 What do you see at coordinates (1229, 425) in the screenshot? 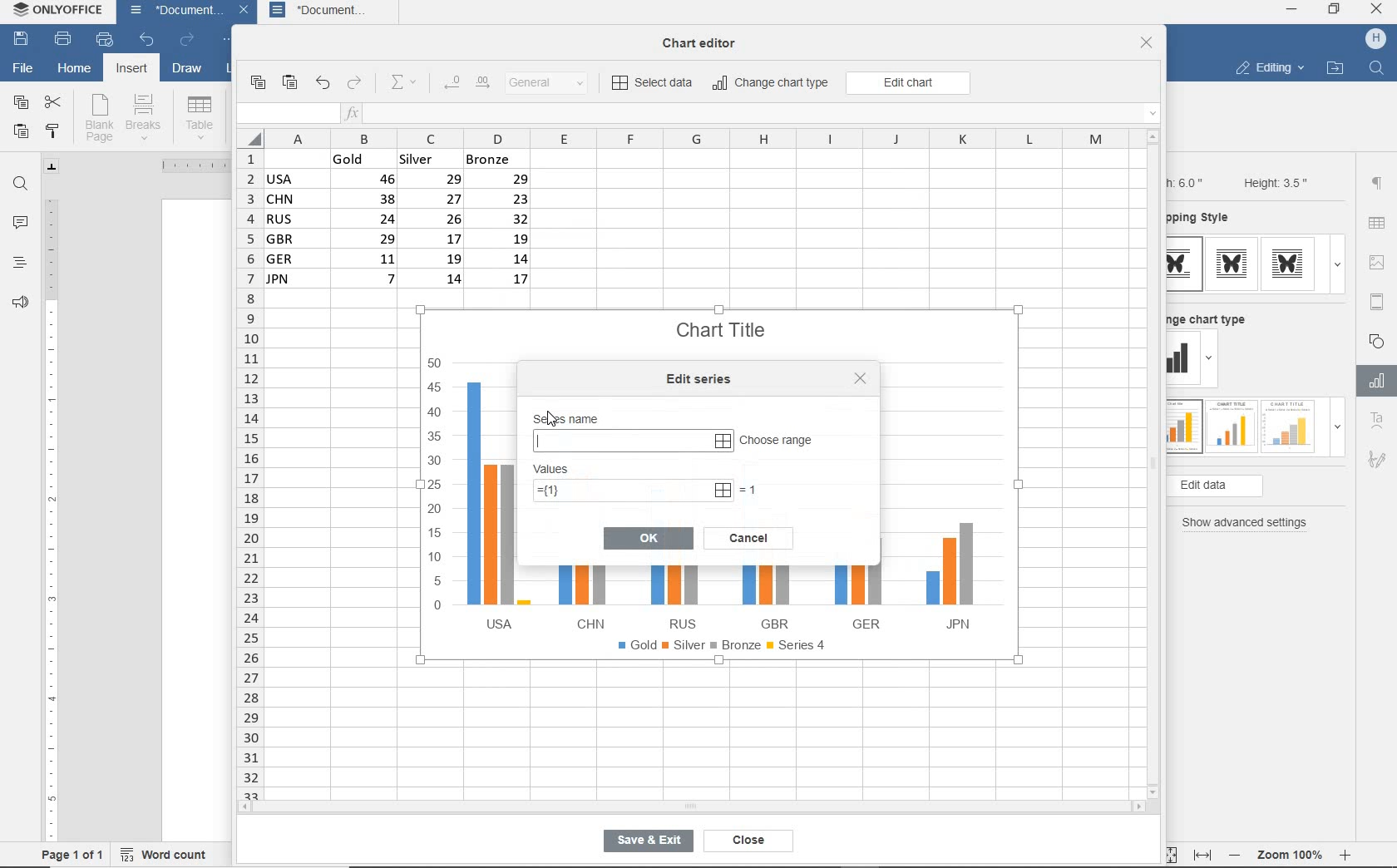
I see `type 2 ` at bounding box center [1229, 425].